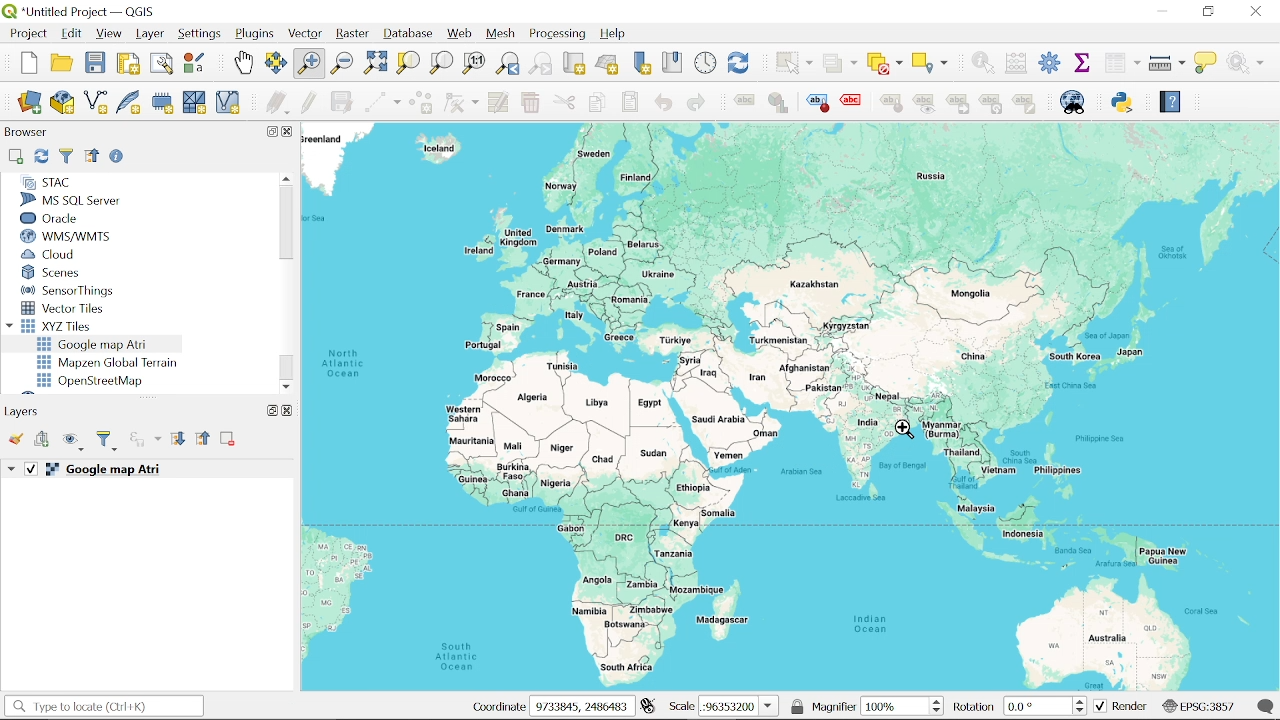 The width and height of the screenshot is (1280, 720). Describe the element at coordinates (574, 65) in the screenshot. I see `New map view` at that location.